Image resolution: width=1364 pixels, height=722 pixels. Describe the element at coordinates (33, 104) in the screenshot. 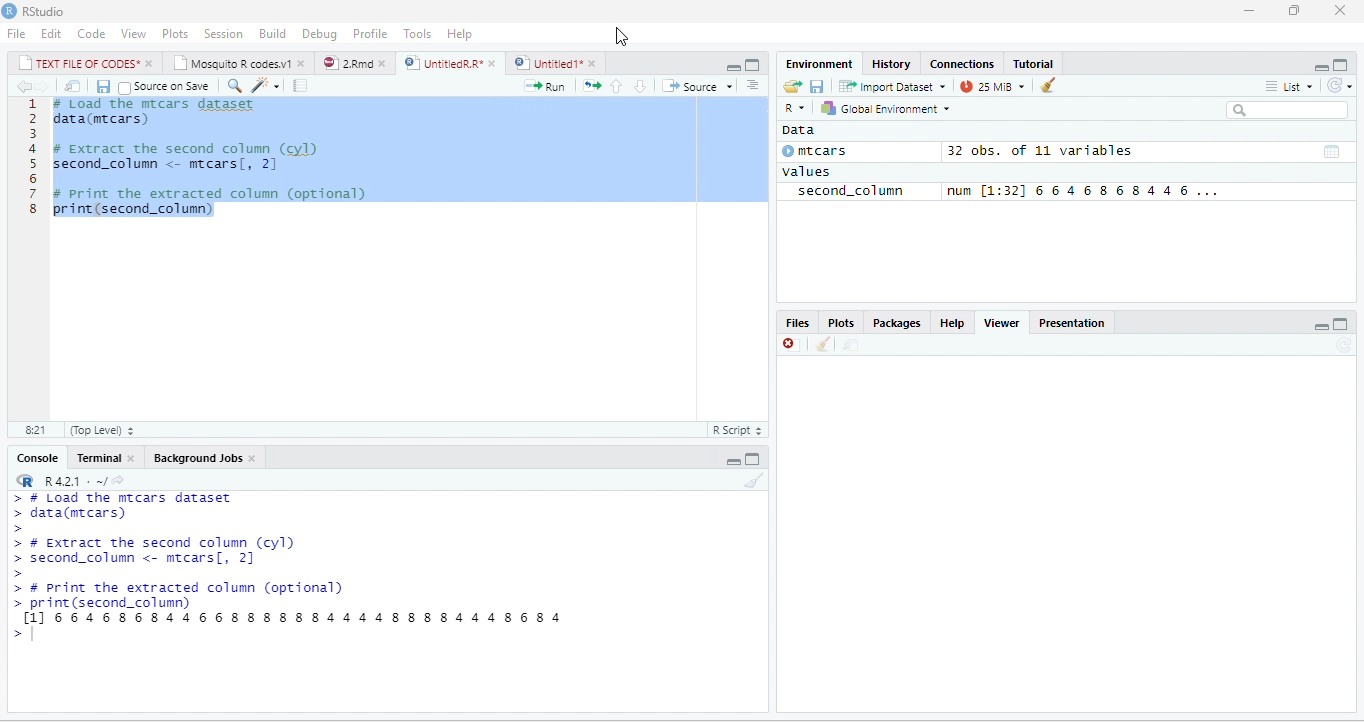

I see `1` at that location.